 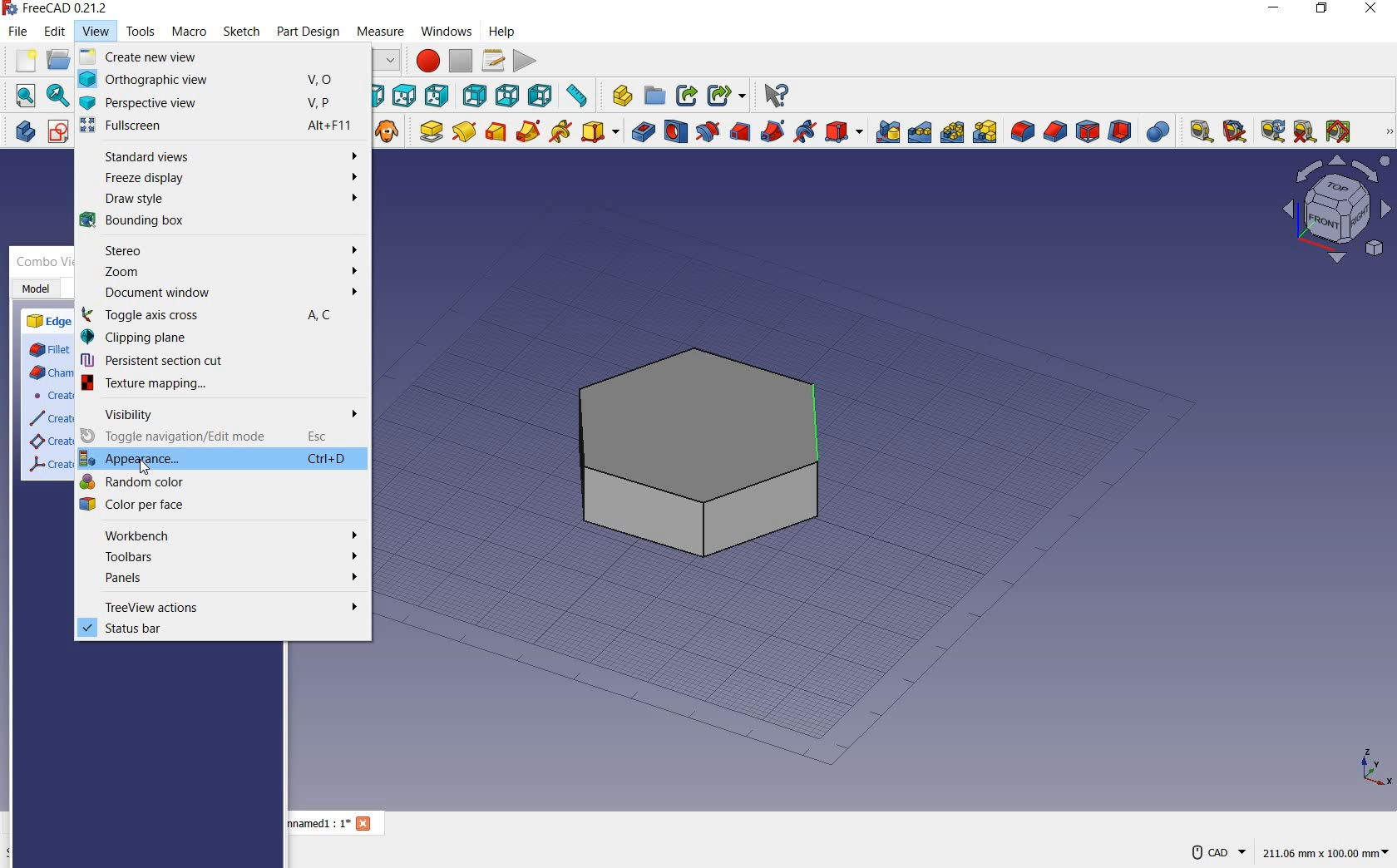 I want to click on texture mapping, so click(x=221, y=385).